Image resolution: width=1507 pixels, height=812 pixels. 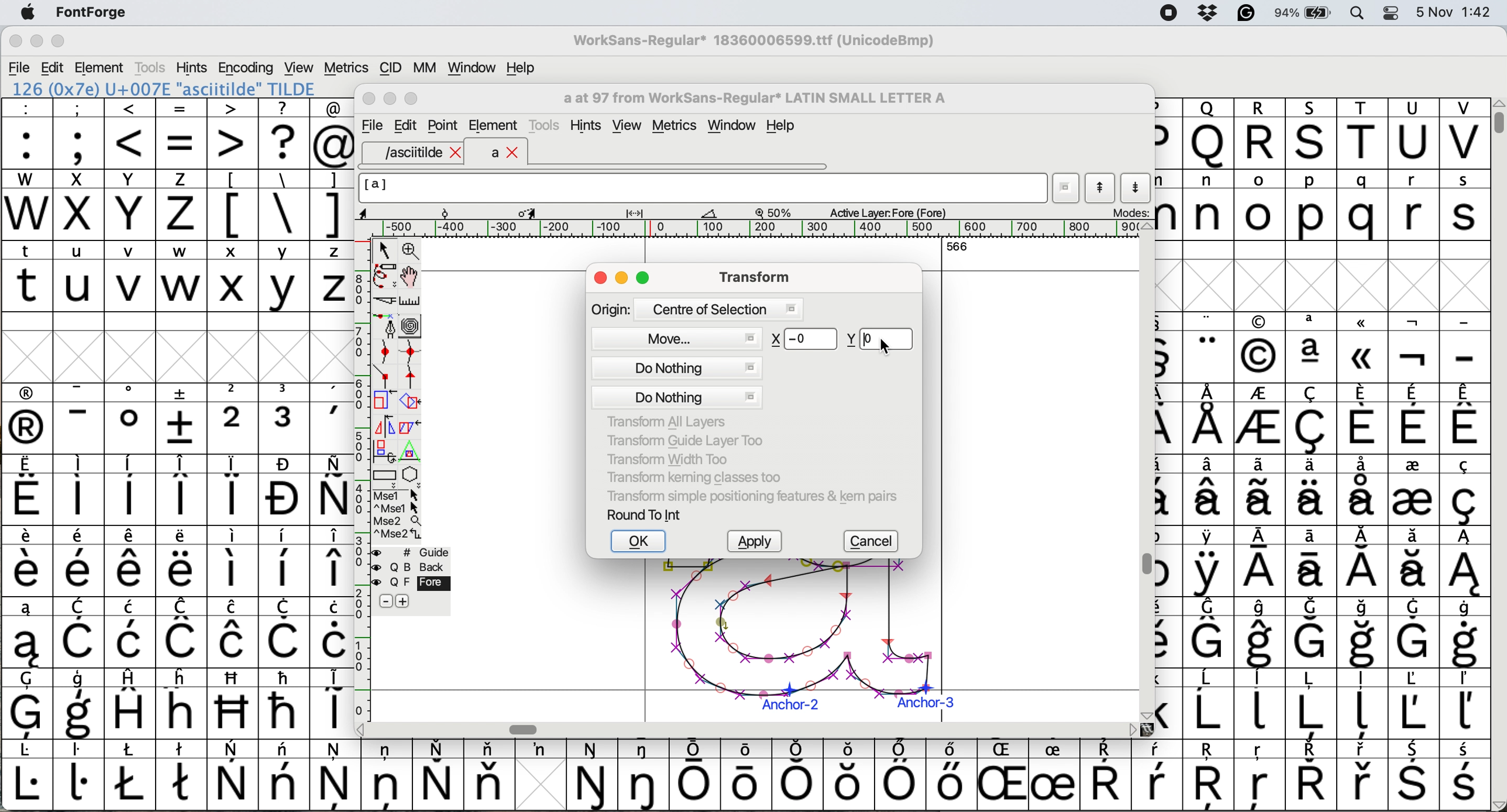 What do you see at coordinates (233, 418) in the screenshot?
I see `2` at bounding box center [233, 418].